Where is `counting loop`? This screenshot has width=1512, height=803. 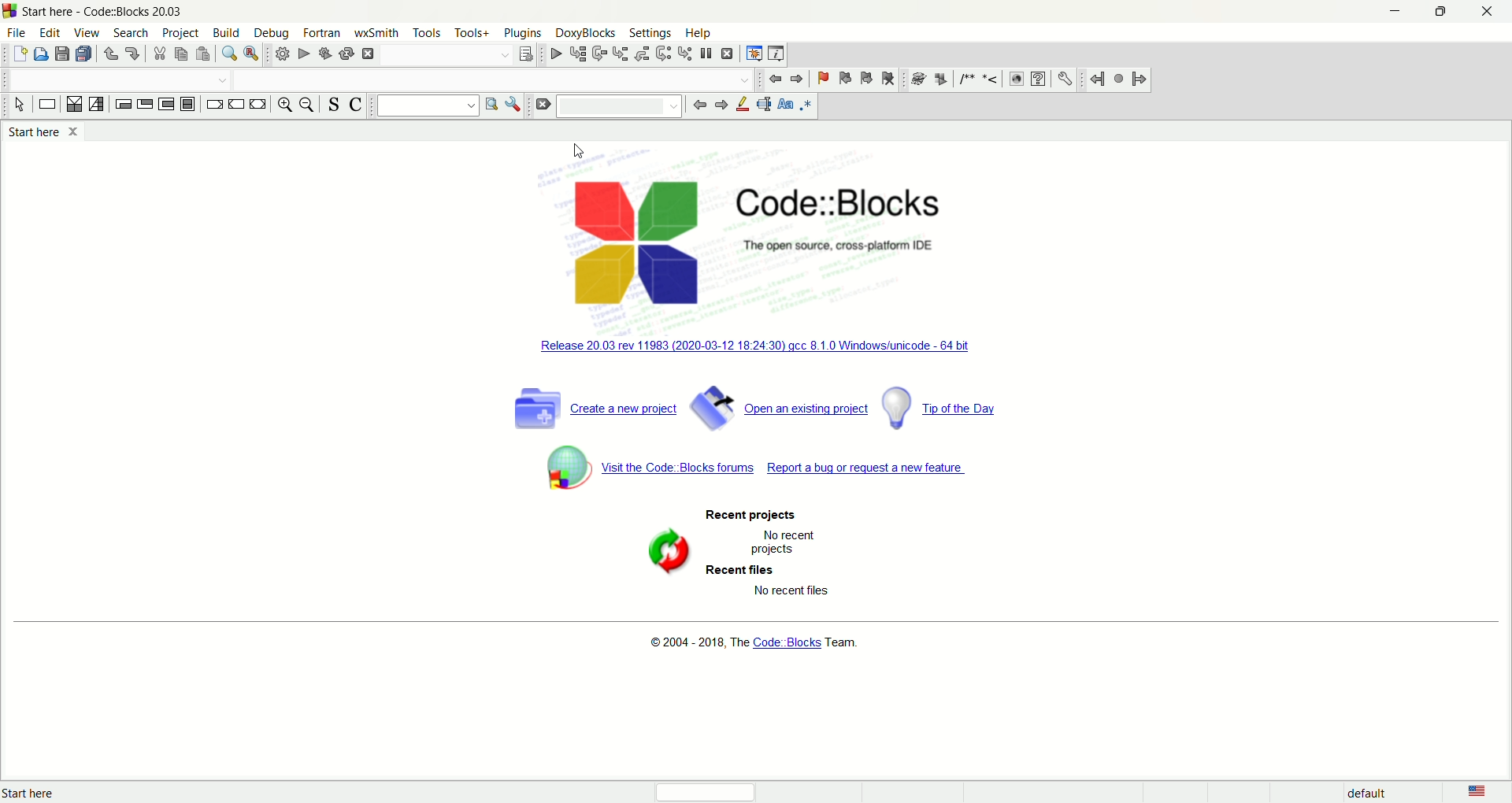
counting loop is located at coordinates (165, 105).